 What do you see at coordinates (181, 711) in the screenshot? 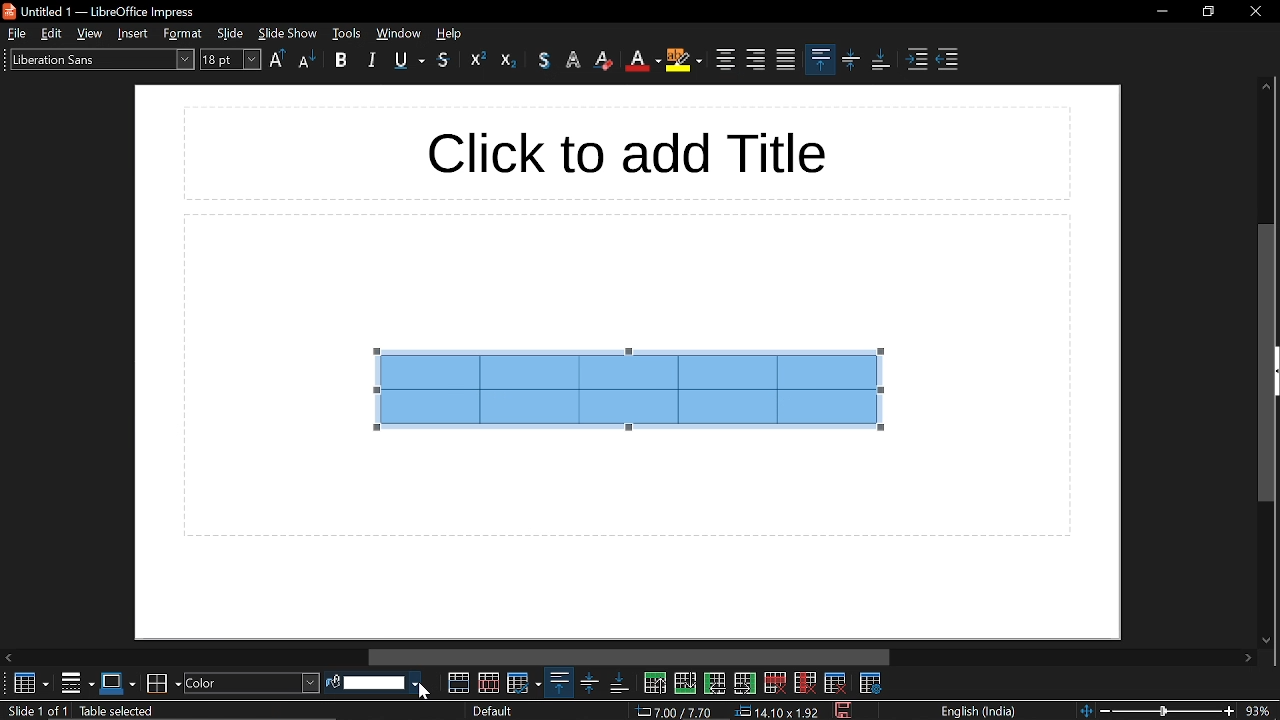
I see `slide info` at bounding box center [181, 711].